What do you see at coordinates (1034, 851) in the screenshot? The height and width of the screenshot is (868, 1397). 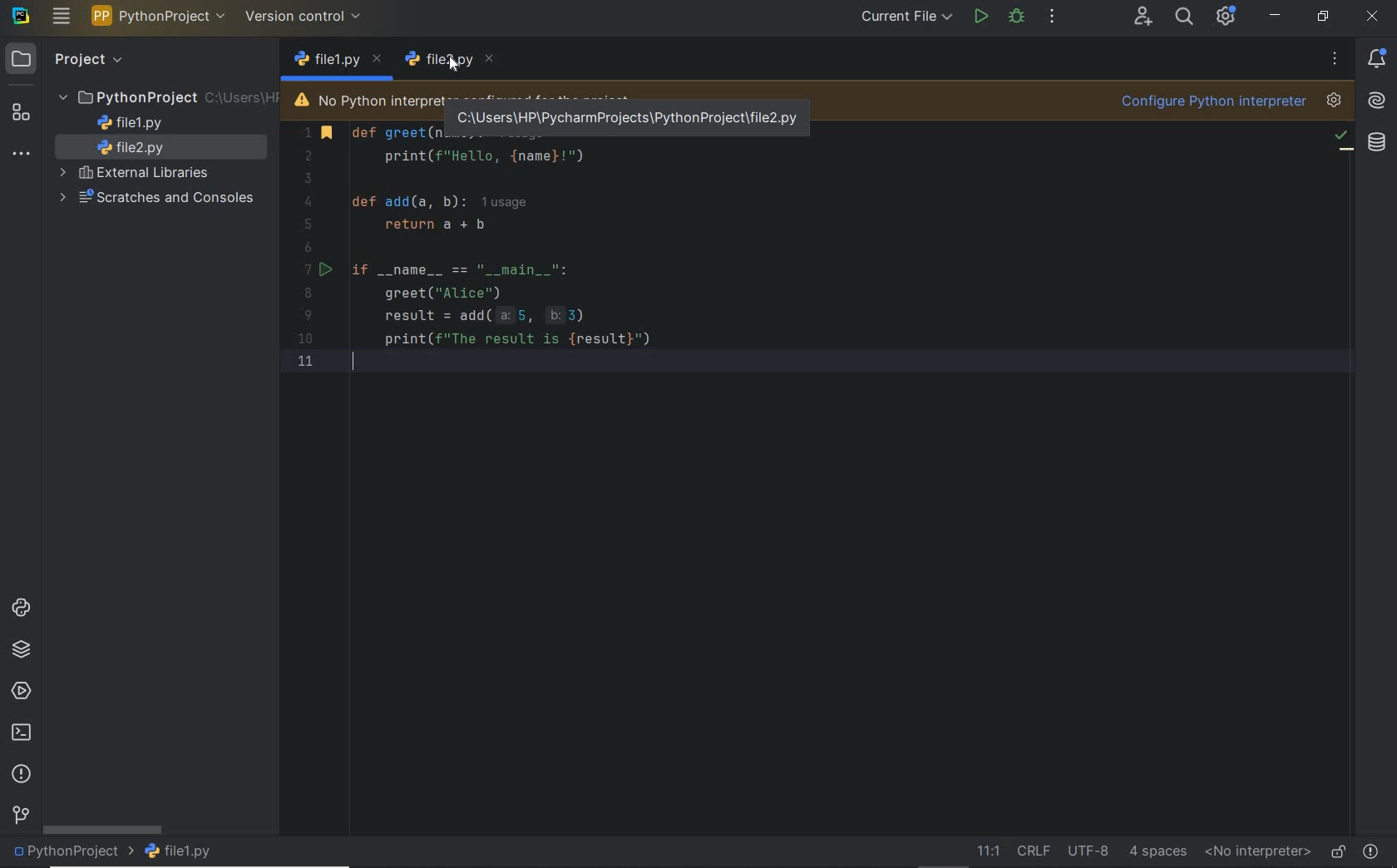 I see `line separator` at bounding box center [1034, 851].